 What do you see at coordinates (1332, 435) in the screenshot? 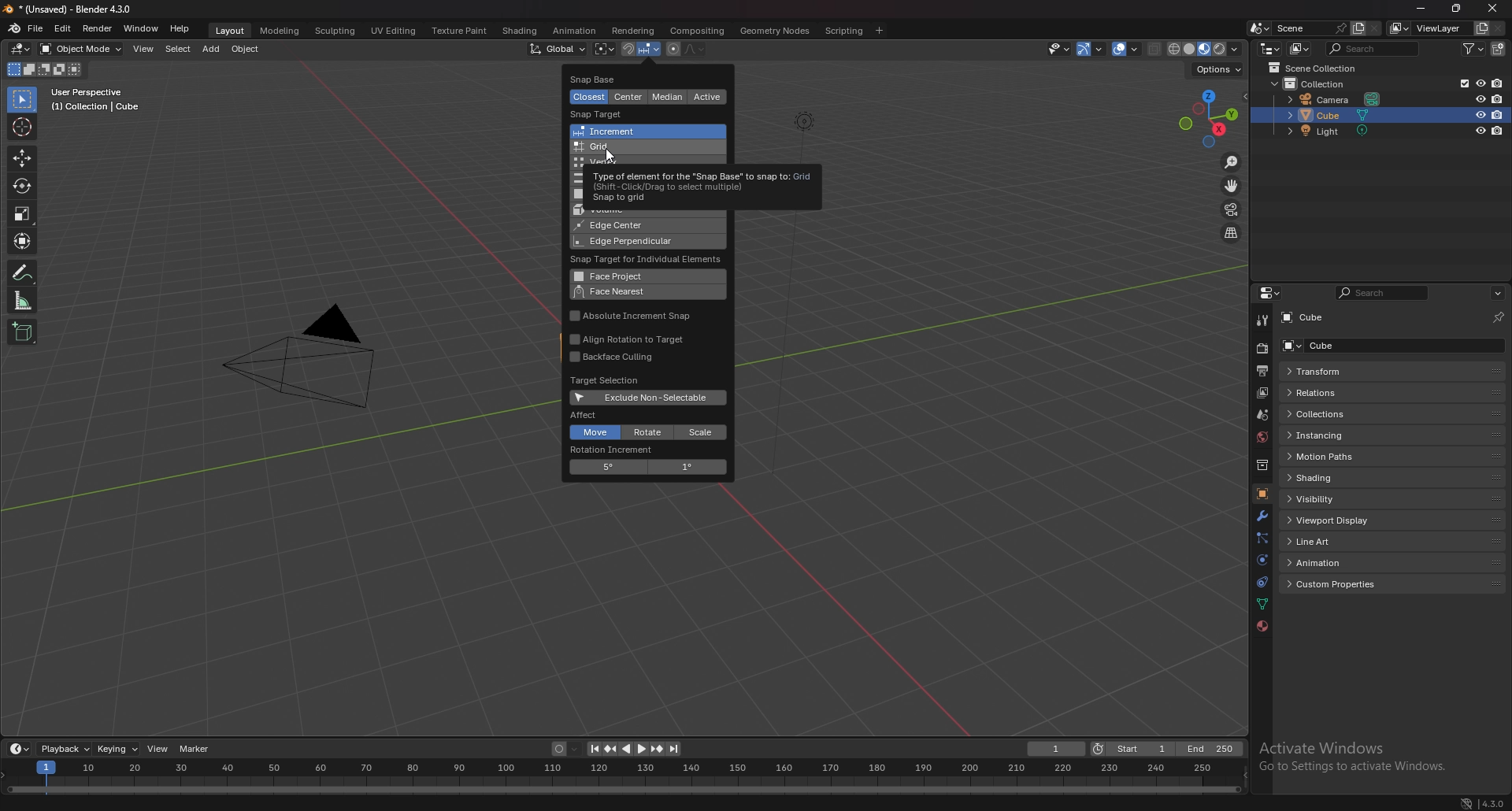
I see `instancing` at bounding box center [1332, 435].